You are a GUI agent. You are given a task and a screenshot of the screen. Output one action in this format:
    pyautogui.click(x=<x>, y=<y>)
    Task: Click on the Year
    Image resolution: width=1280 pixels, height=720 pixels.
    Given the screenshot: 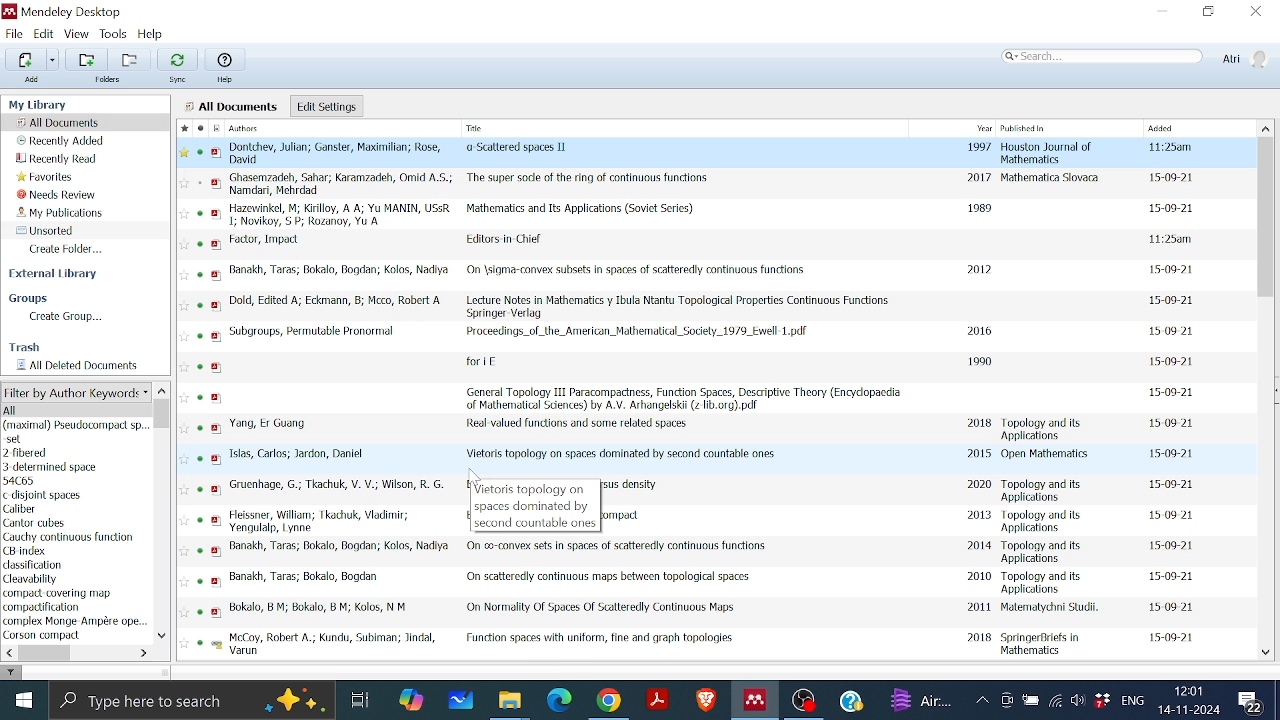 What is the action you would take?
    pyautogui.click(x=976, y=128)
    